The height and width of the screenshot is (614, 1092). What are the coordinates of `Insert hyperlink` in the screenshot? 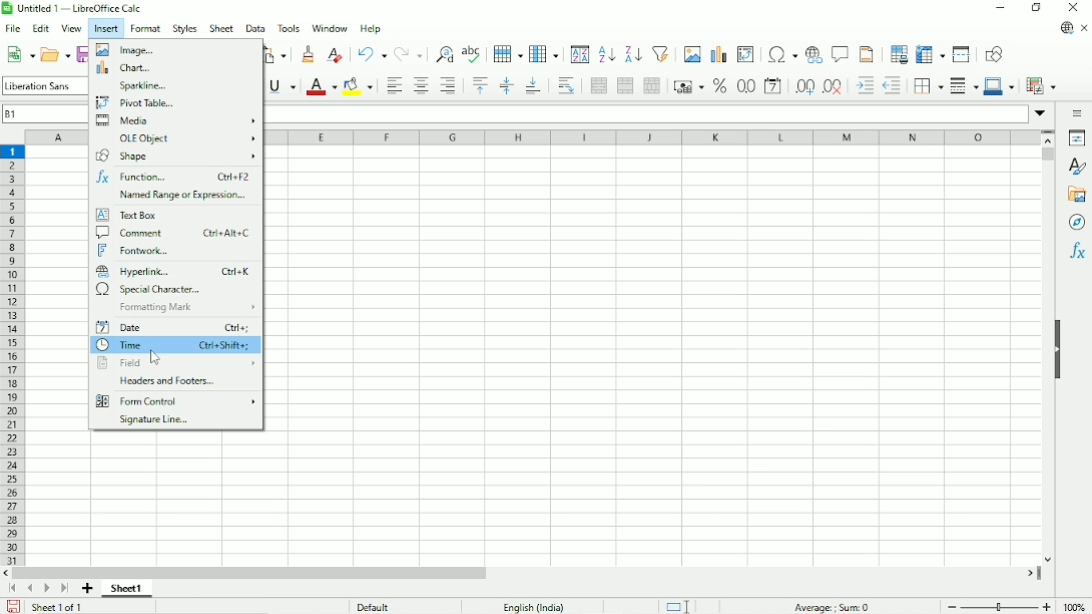 It's located at (813, 53).